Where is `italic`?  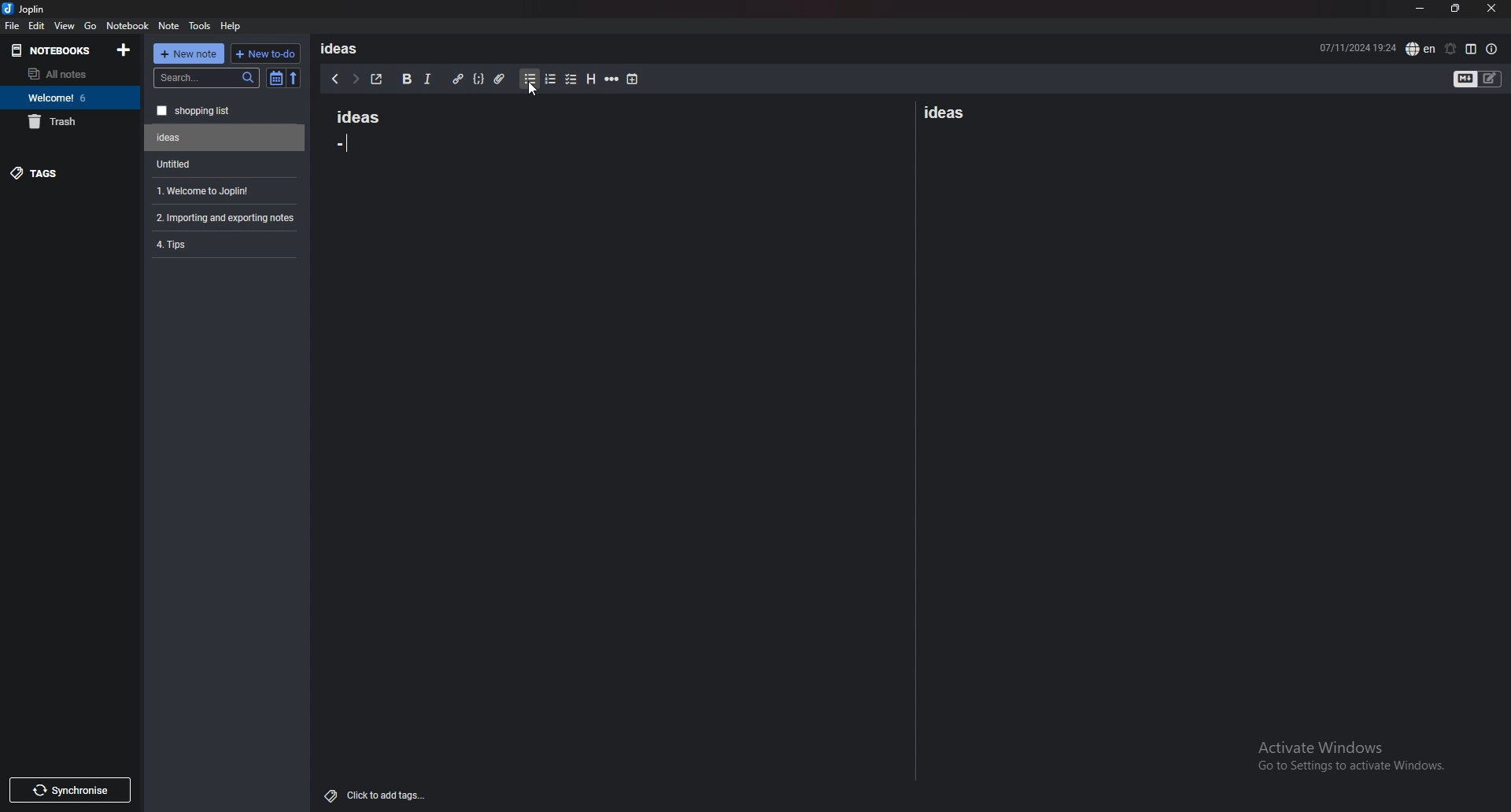
italic is located at coordinates (427, 79).